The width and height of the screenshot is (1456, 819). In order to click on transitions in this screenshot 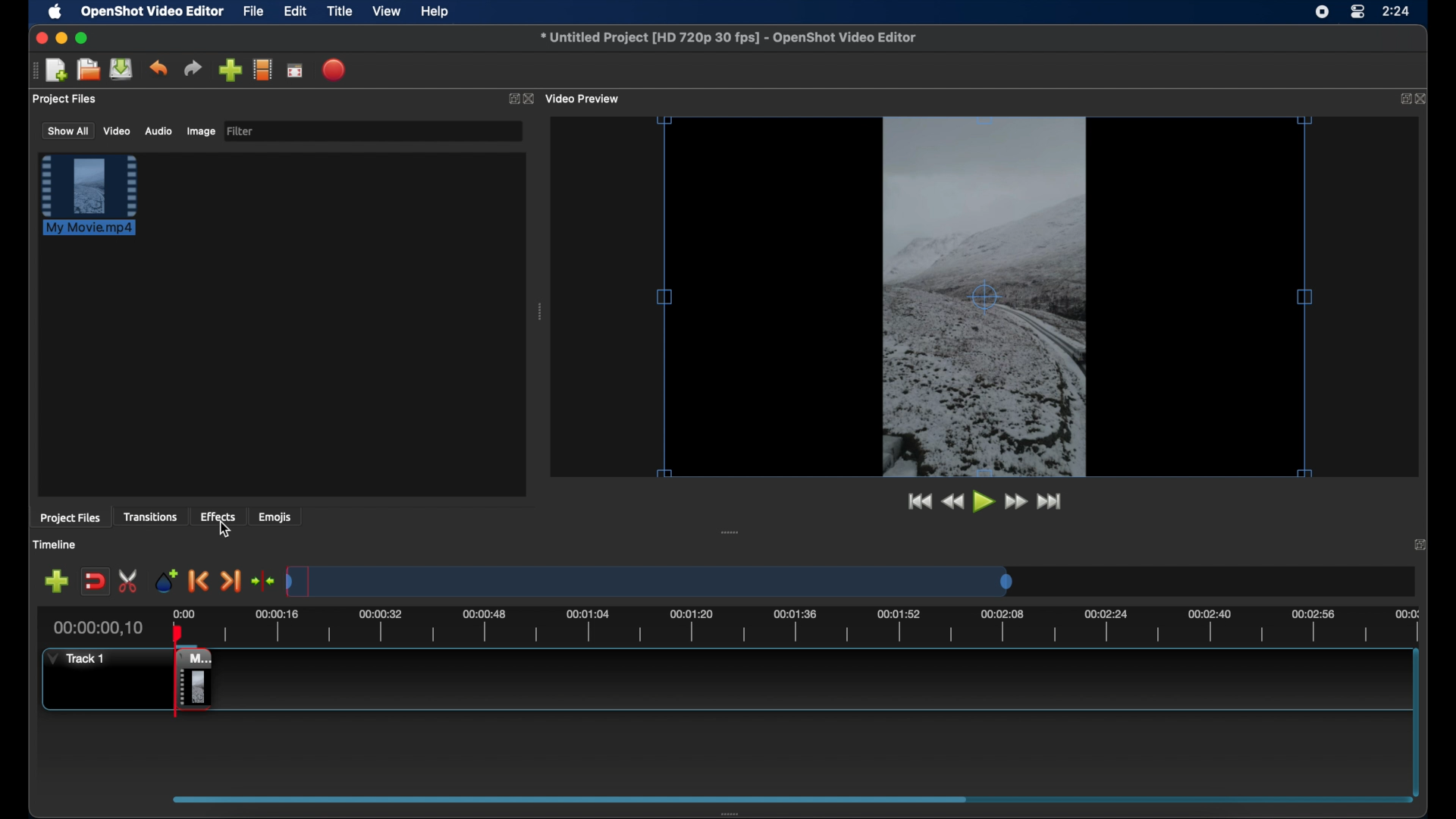, I will do `click(153, 516)`.